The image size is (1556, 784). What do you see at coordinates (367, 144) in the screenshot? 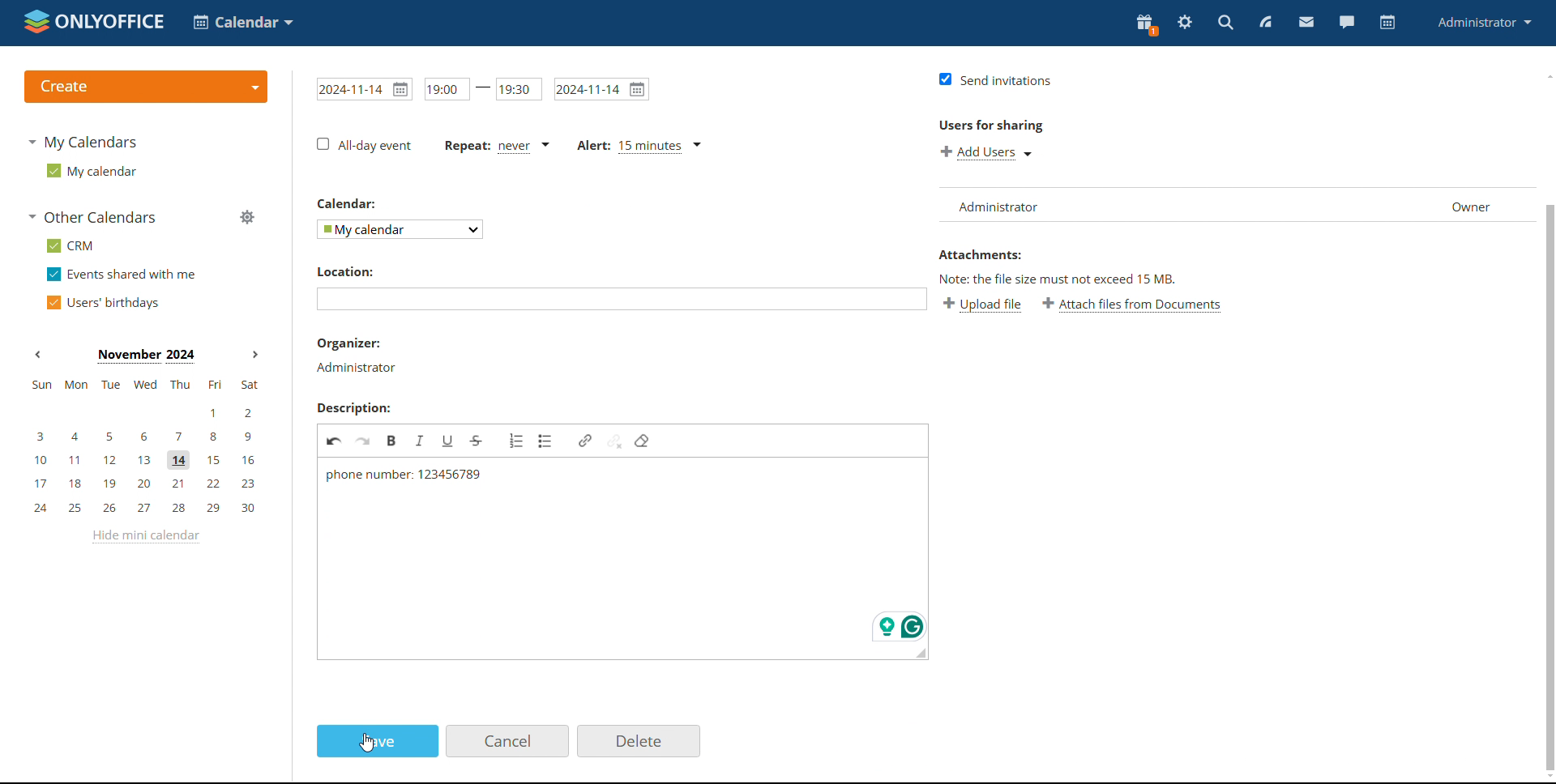
I see `checkbox` at bounding box center [367, 144].